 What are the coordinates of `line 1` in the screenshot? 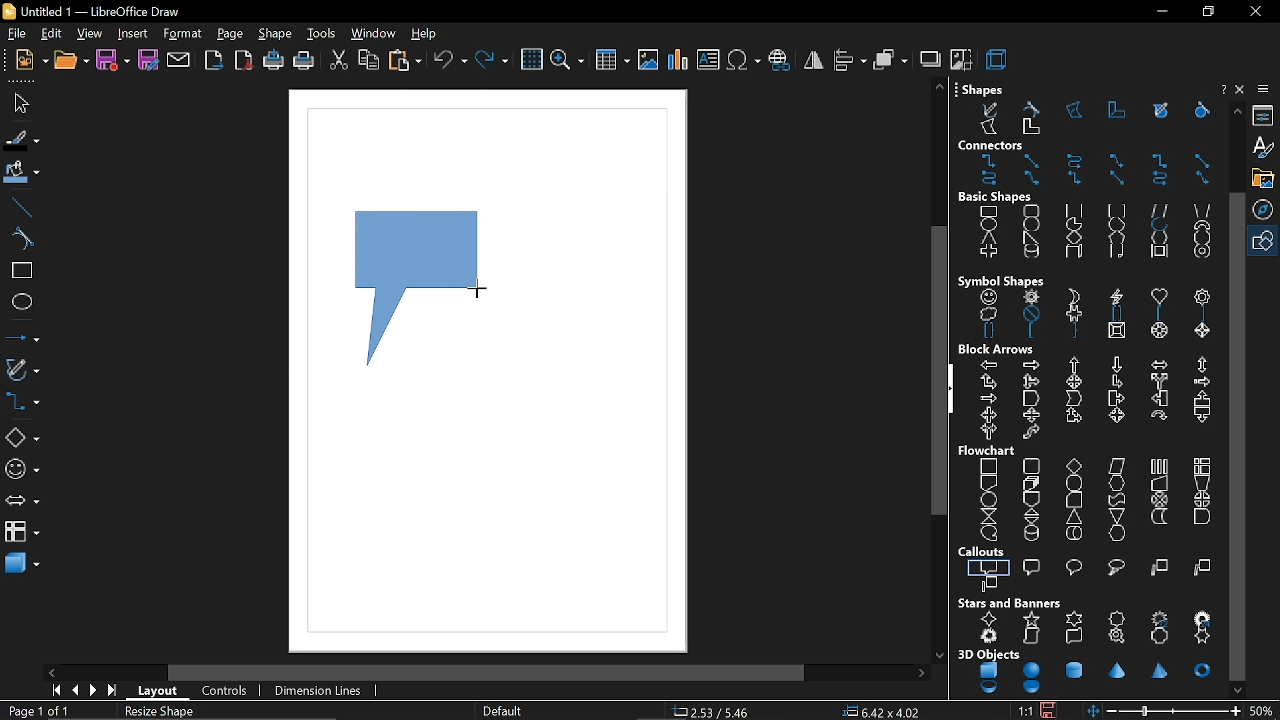 It's located at (1158, 568).